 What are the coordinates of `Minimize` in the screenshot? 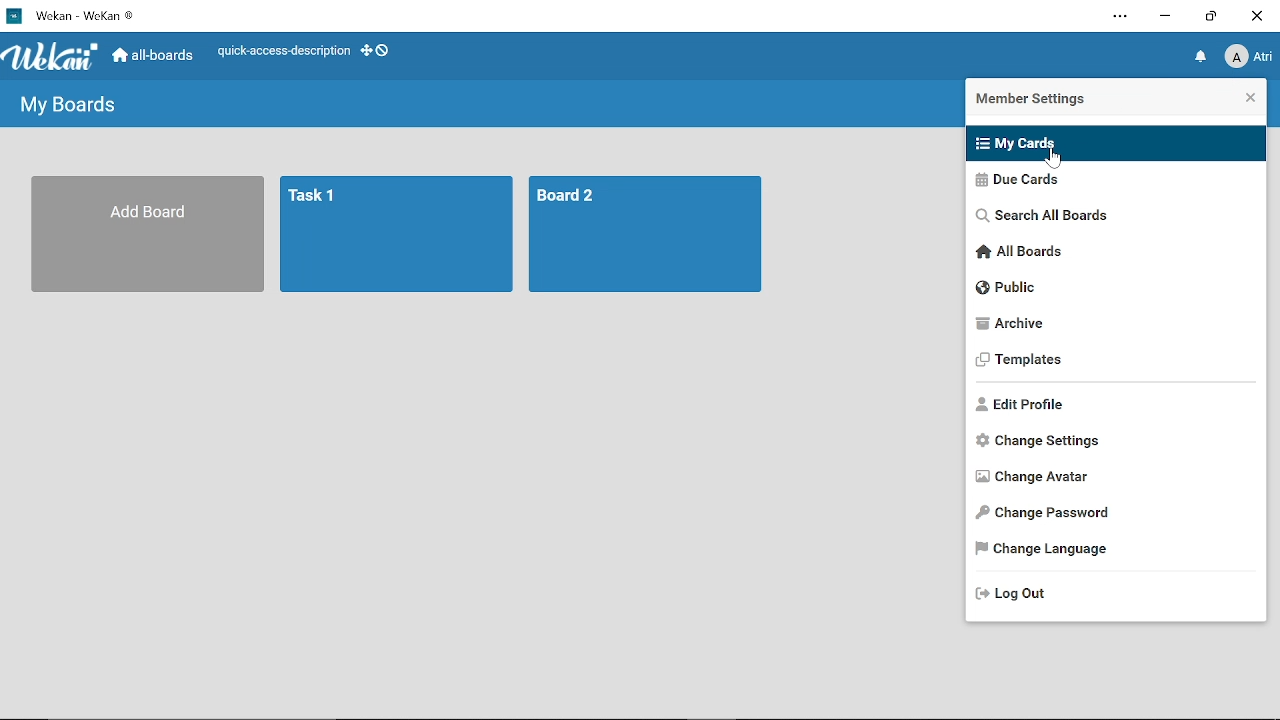 It's located at (1165, 19).